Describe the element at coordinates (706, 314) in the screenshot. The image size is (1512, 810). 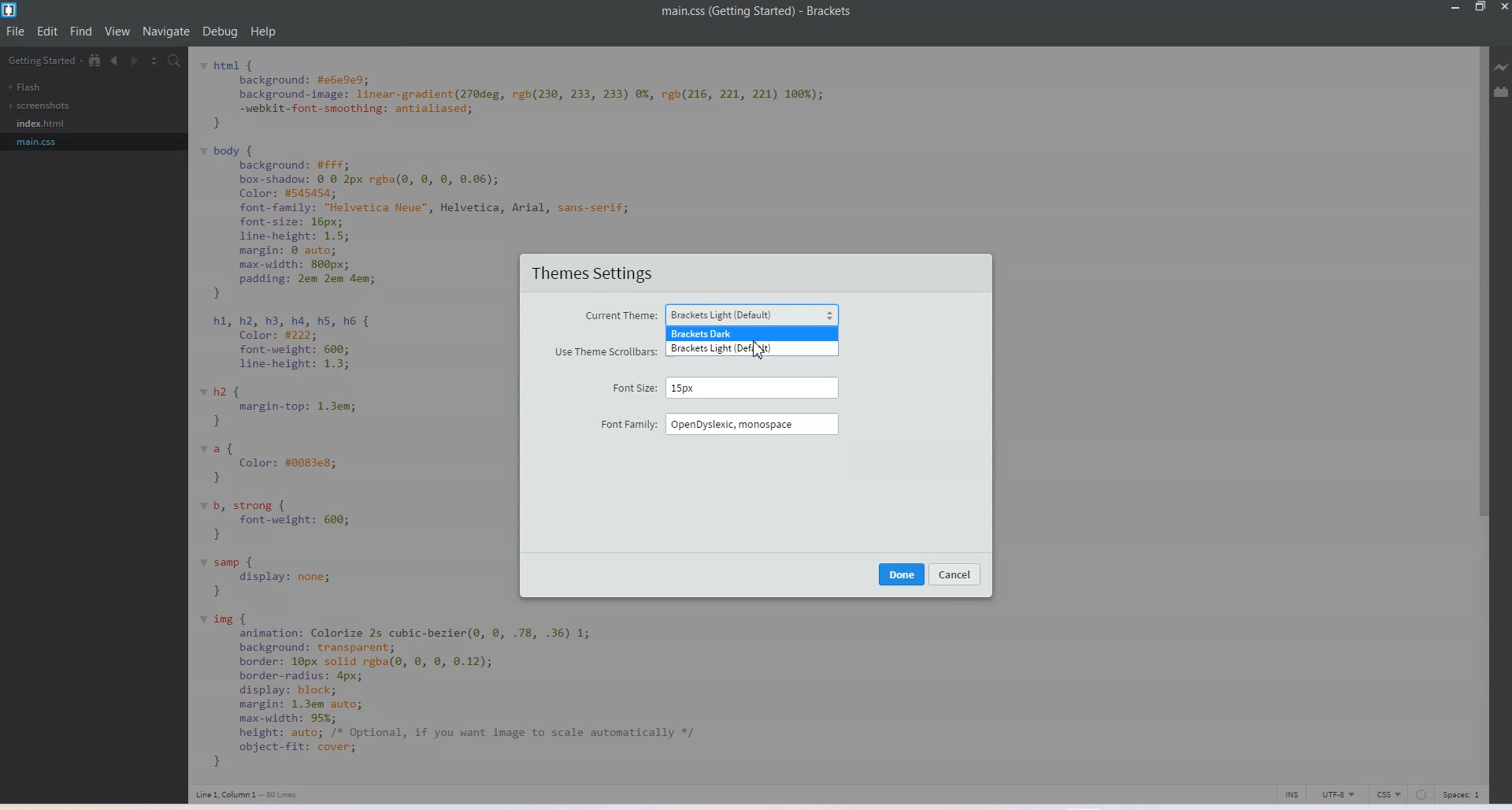
I see `Current Theme` at that location.